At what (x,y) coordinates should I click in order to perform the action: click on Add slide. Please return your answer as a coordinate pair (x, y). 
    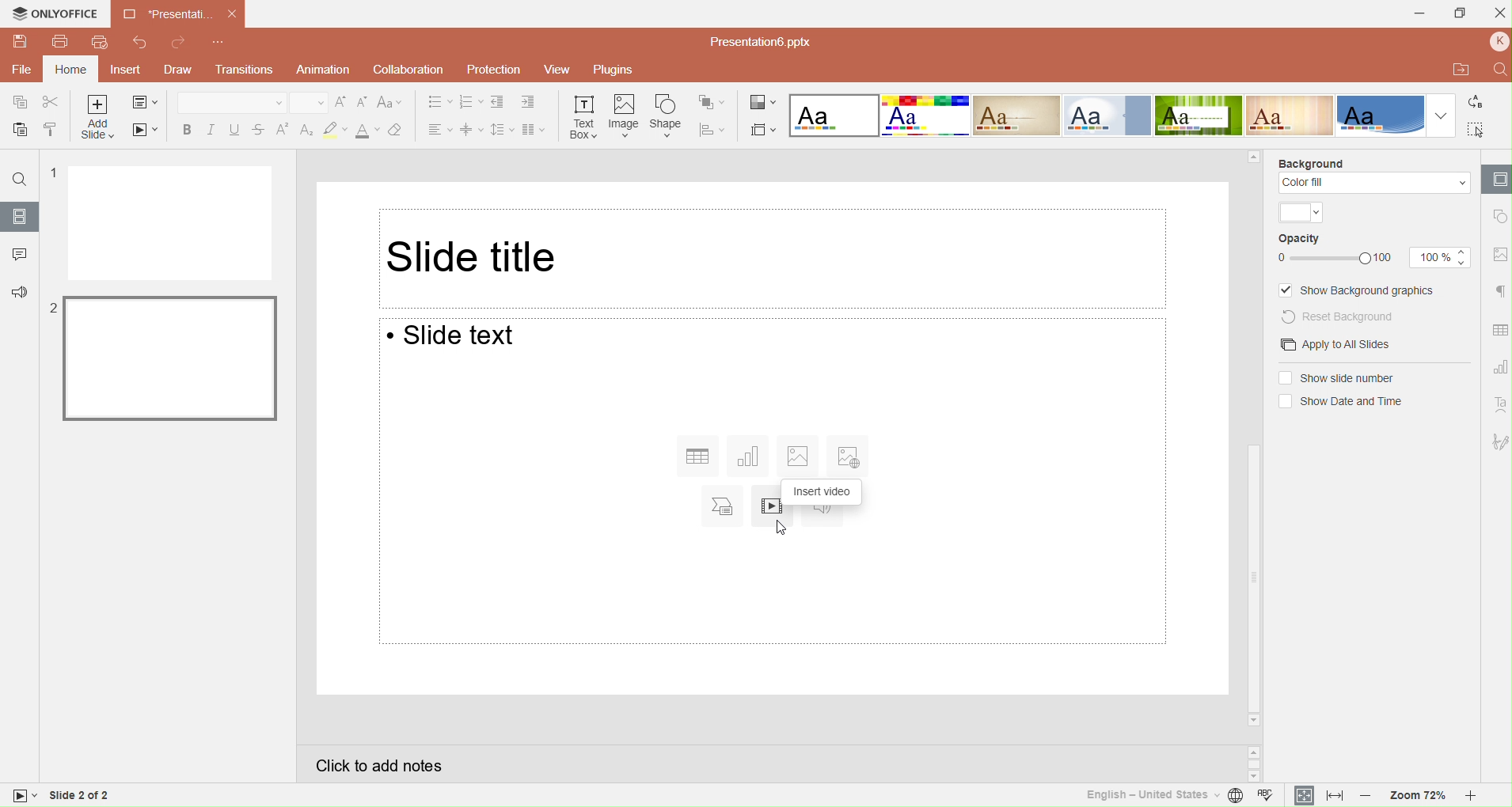
    Looking at the image, I should click on (96, 118).